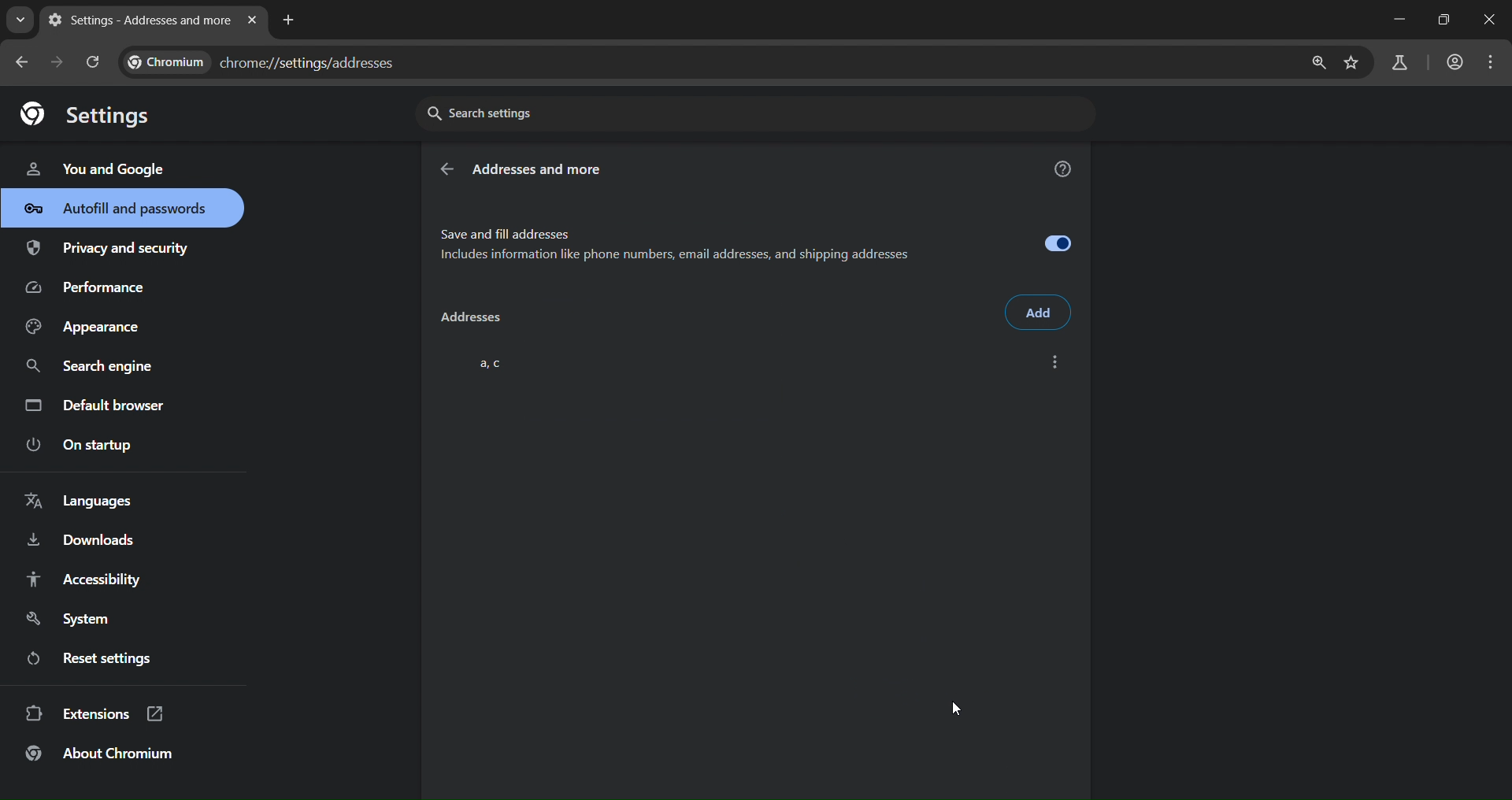  I want to click on performance, so click(91, 291).